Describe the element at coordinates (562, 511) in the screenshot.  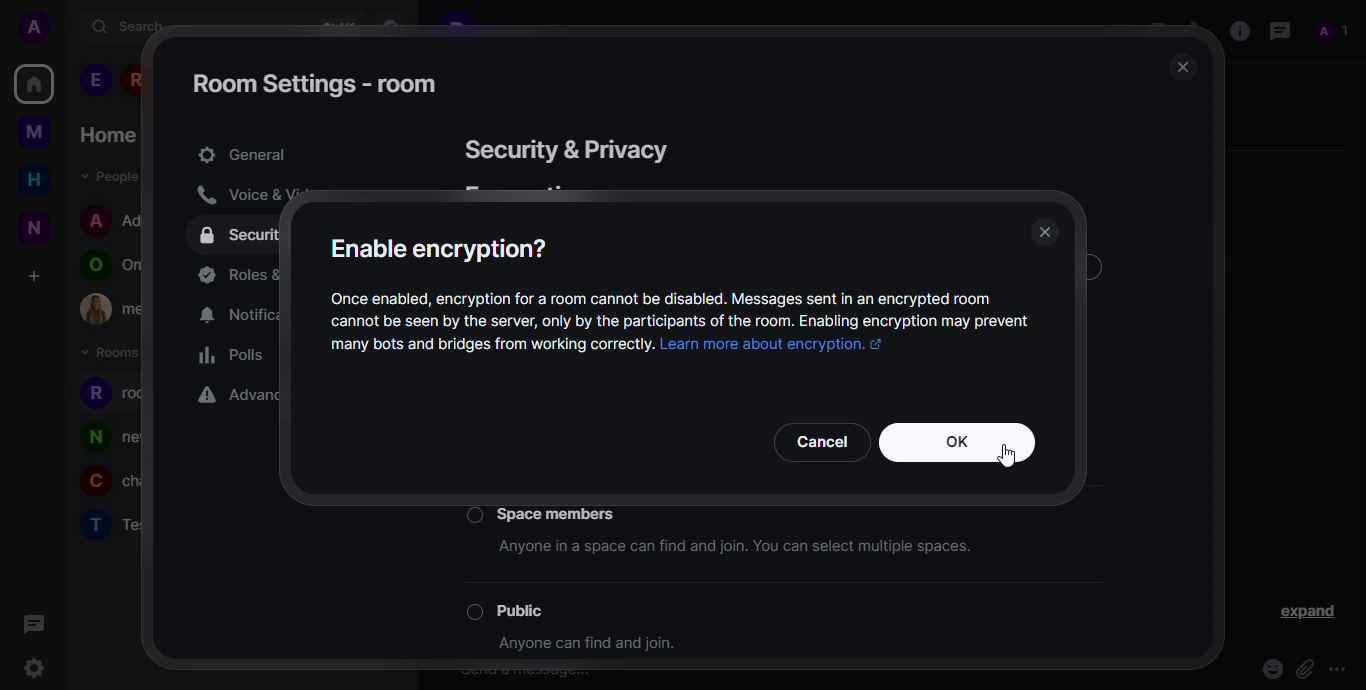
I see `space` at that location.